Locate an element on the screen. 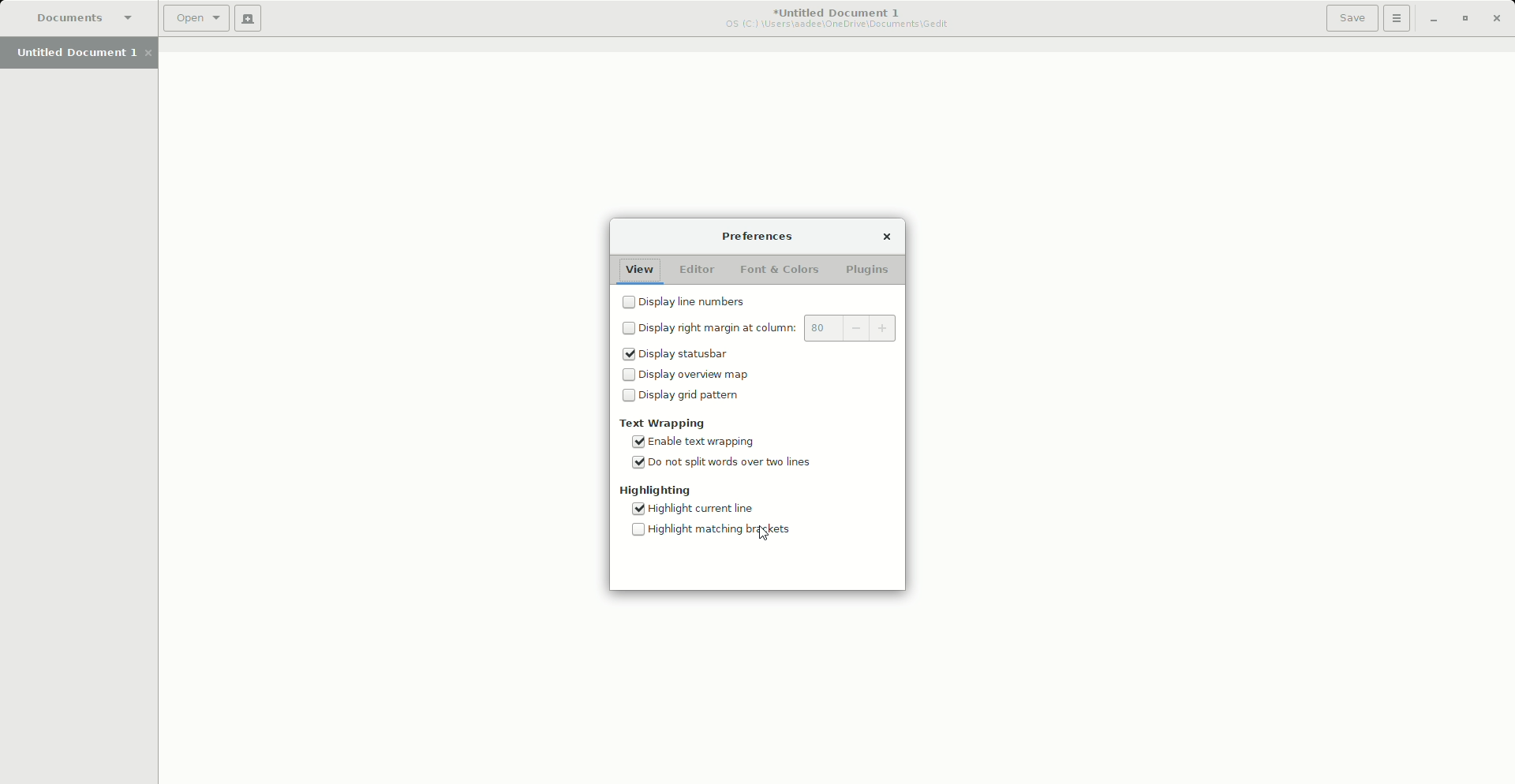 This screenshot has height=784, width=1515. Grid pattern is located at coordinates (680, 399).